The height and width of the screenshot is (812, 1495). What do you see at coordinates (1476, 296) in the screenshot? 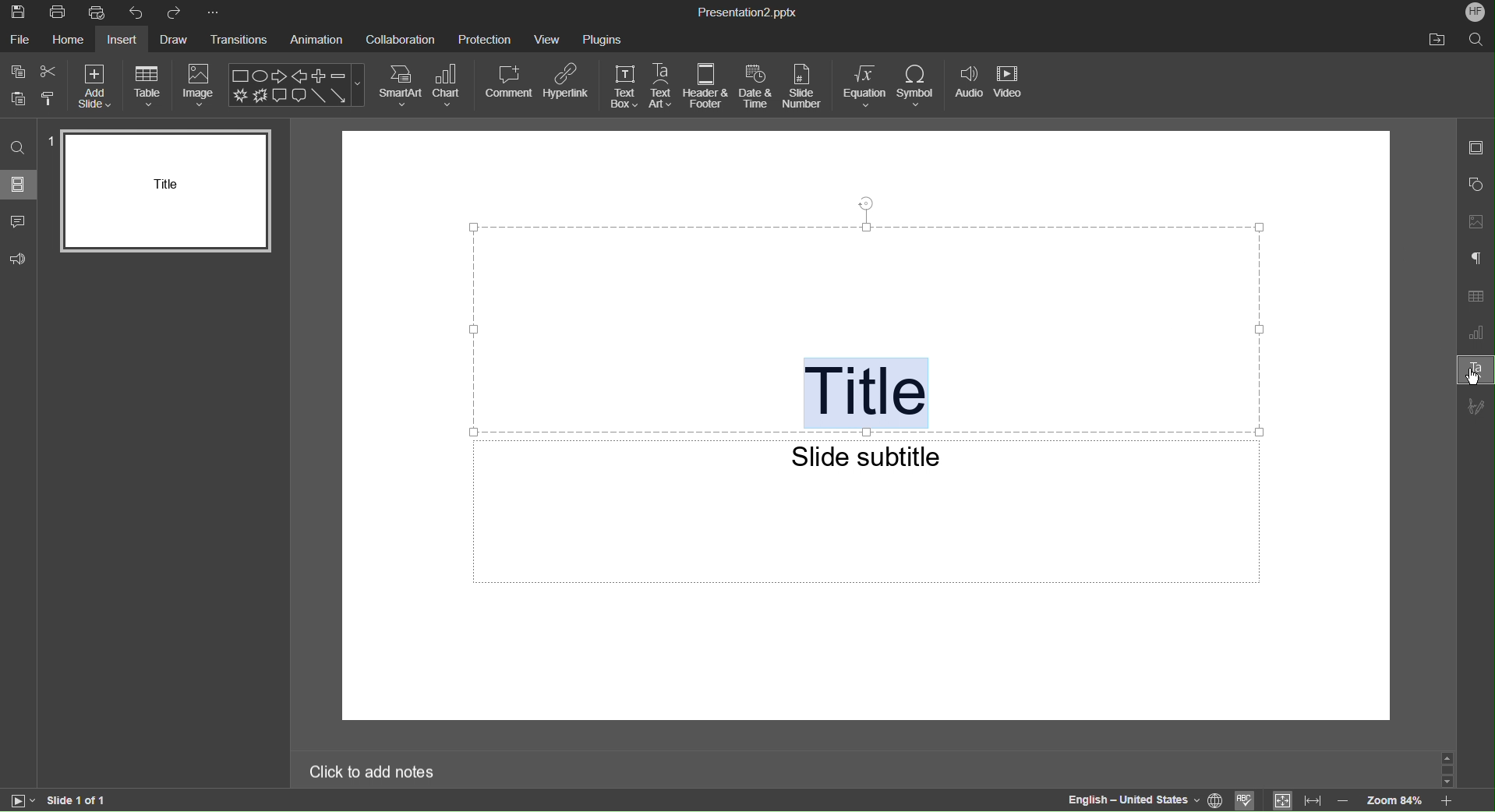
I see `Table Settings` at bounding box center [1476, 296].